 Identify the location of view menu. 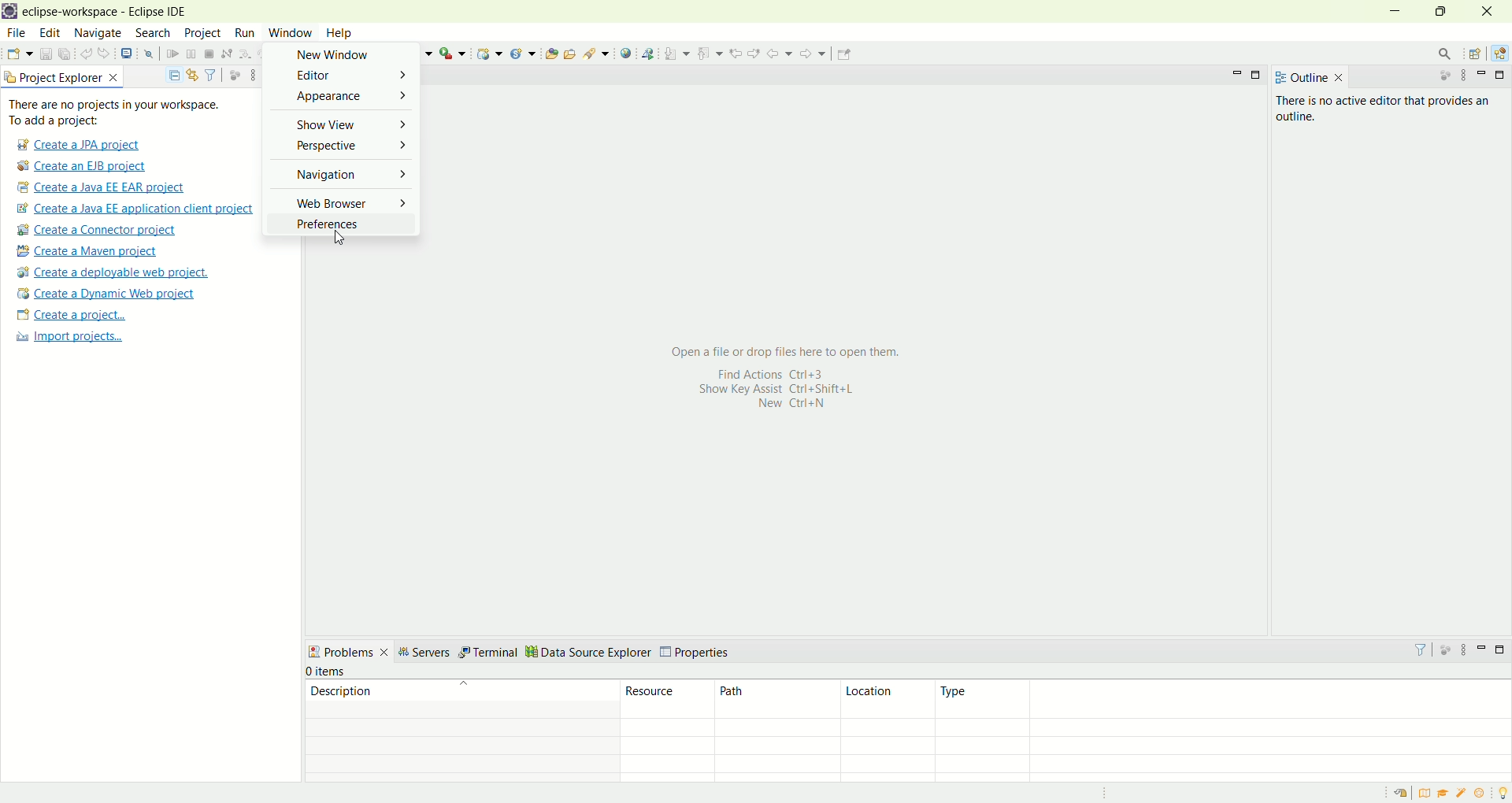
(1462, 76).